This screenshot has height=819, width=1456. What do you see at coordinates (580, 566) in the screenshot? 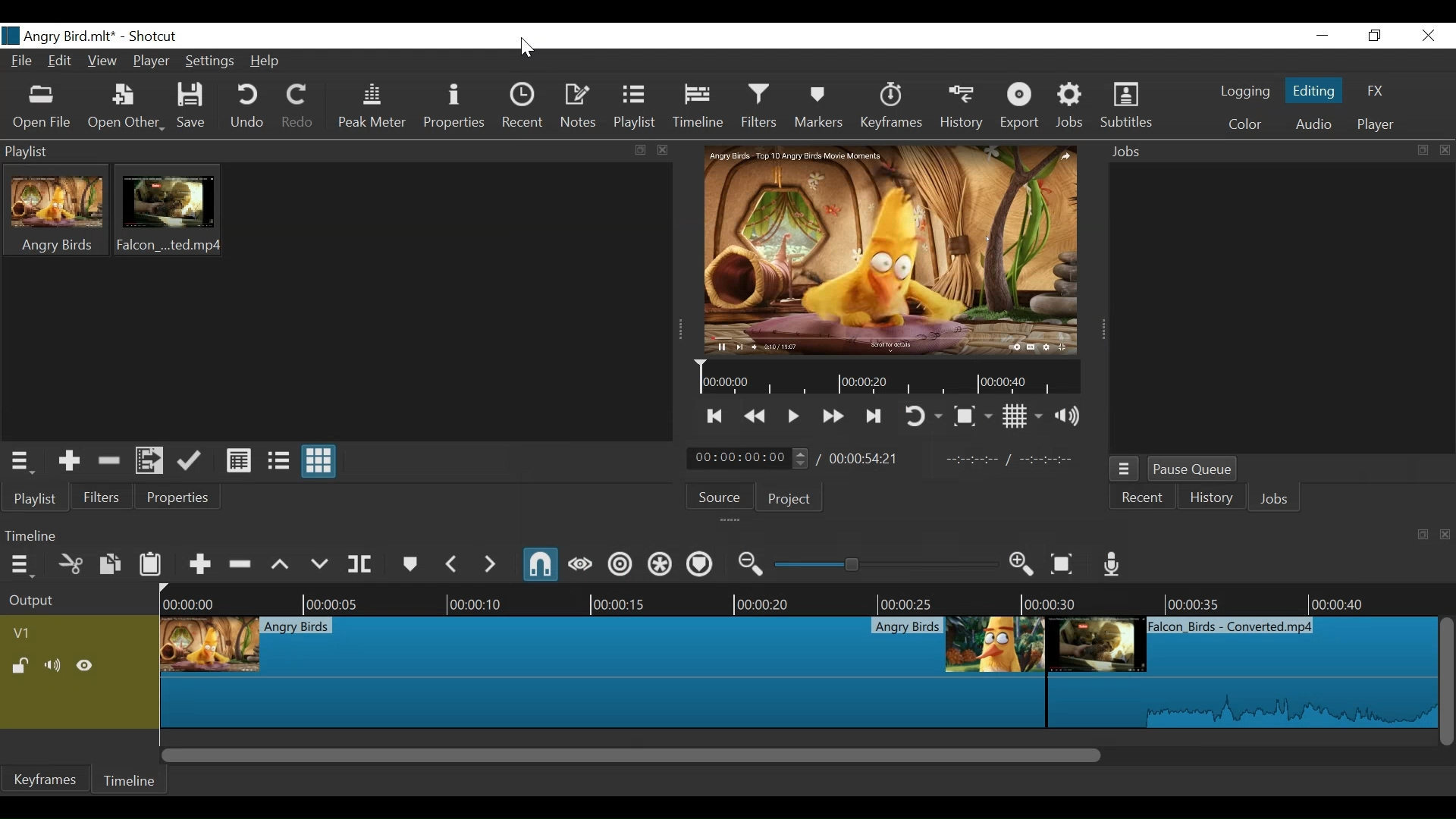
I see `Scrub while dragging` at bounding box center [580, 566].